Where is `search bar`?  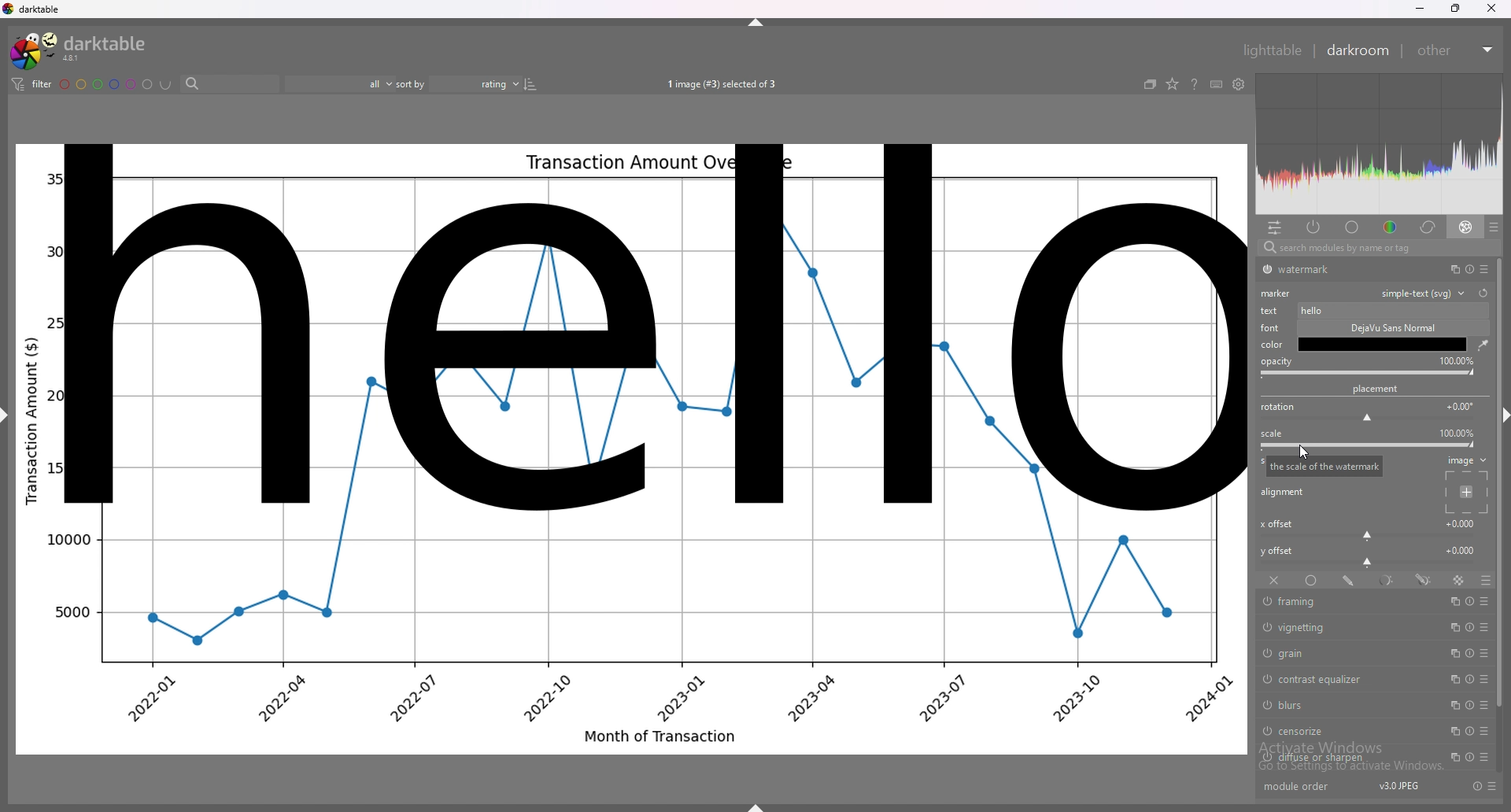 search bar is located at coordinates (1374, 249).